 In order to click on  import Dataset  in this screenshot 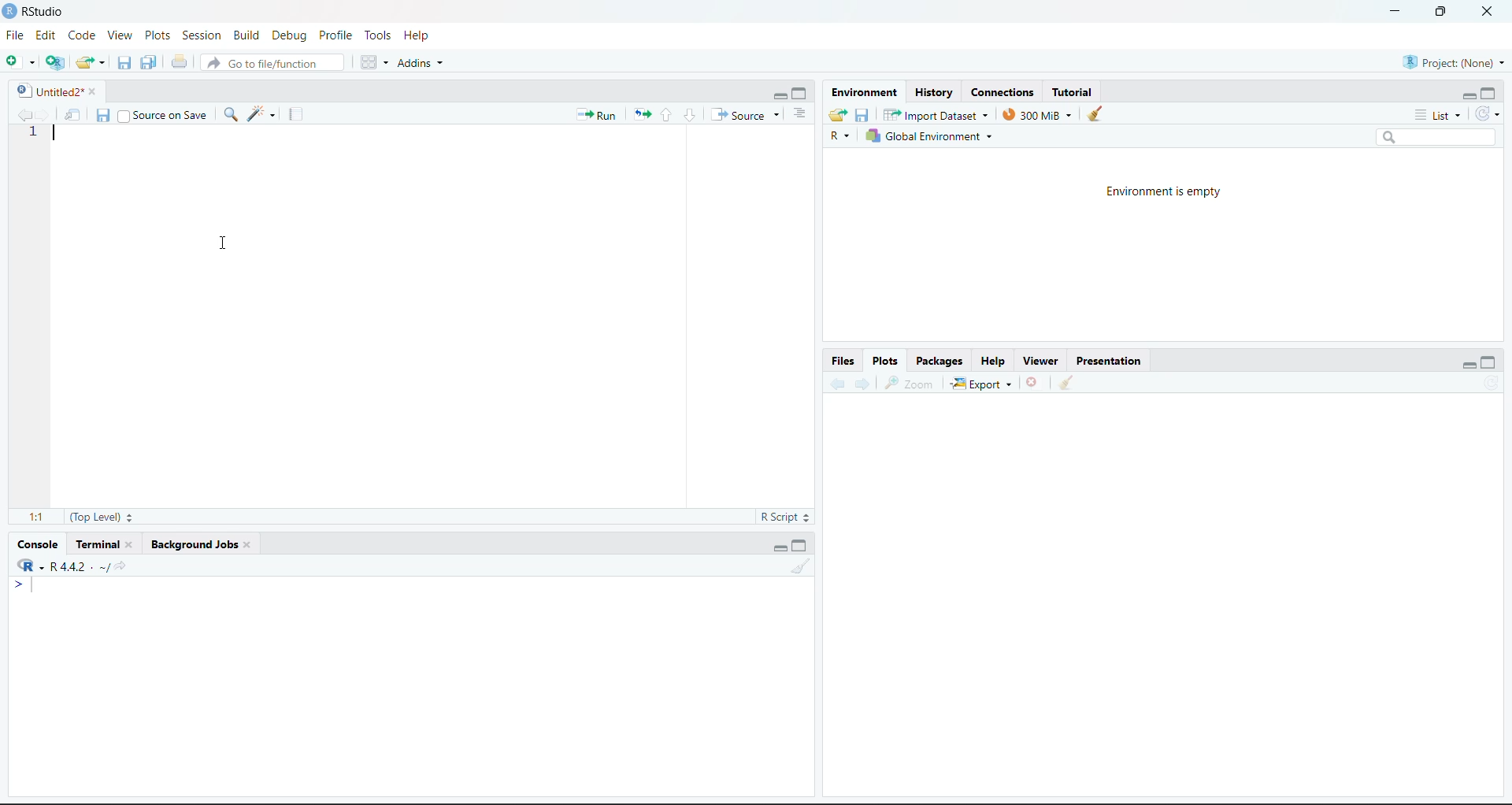, I will do `click(938, 113)`.